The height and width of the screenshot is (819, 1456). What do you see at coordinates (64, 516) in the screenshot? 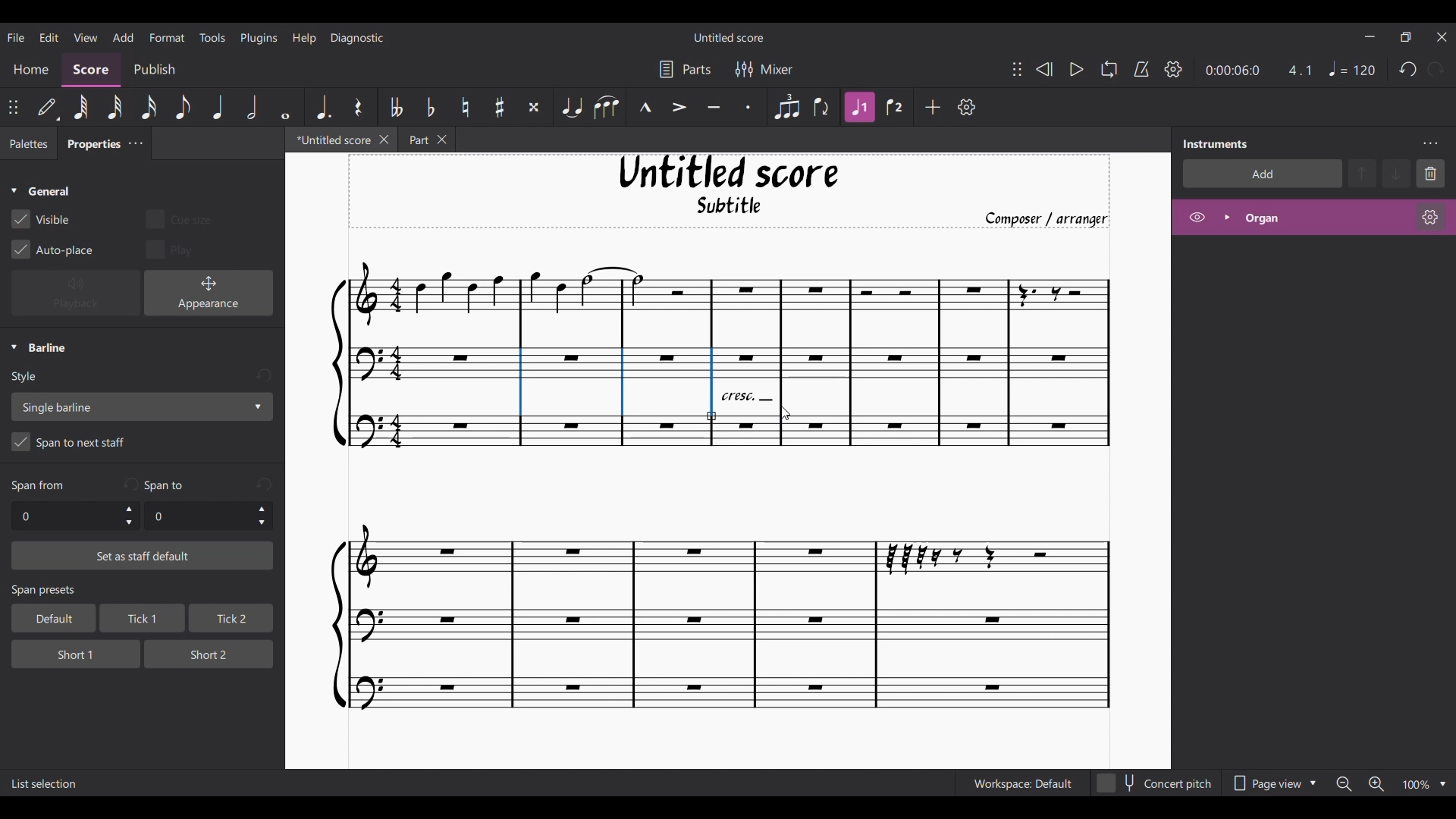
I see `Type in Span from` at bounding box center [64, 516].